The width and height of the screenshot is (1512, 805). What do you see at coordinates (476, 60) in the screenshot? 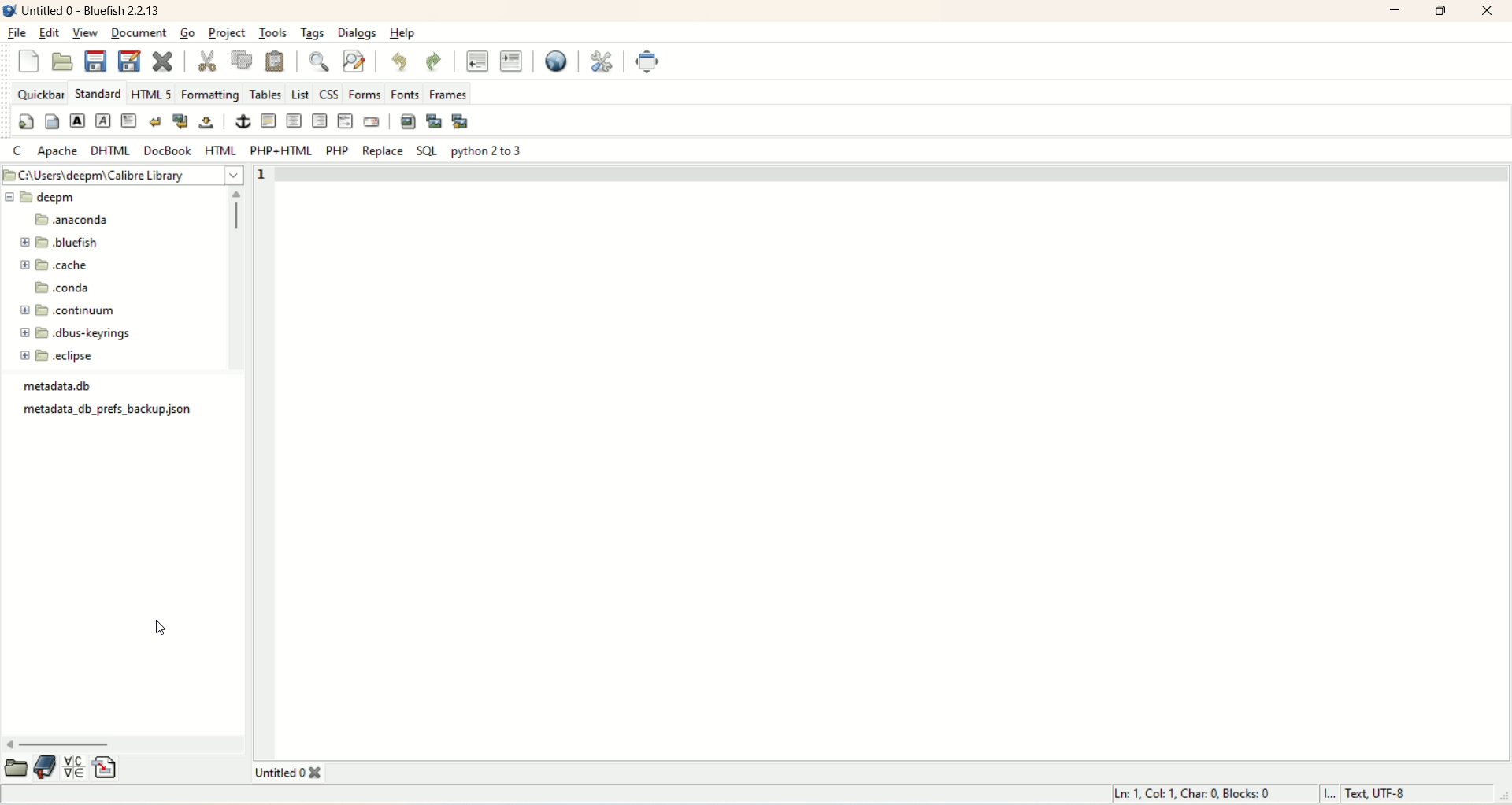
I see `unindent` at bounding box center [476, 60].